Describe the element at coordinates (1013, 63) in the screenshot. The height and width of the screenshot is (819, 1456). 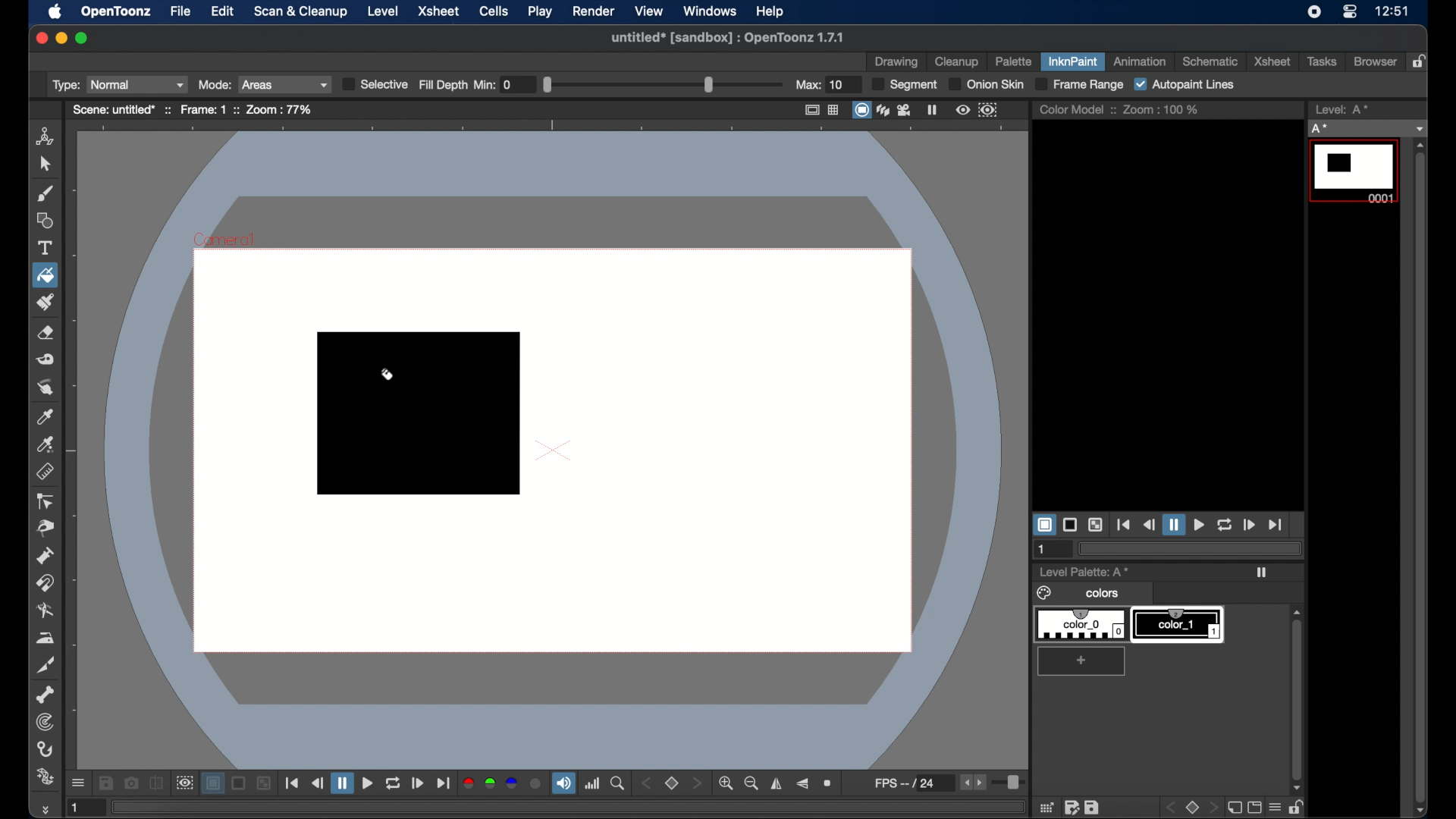
I see `palette` at that location.